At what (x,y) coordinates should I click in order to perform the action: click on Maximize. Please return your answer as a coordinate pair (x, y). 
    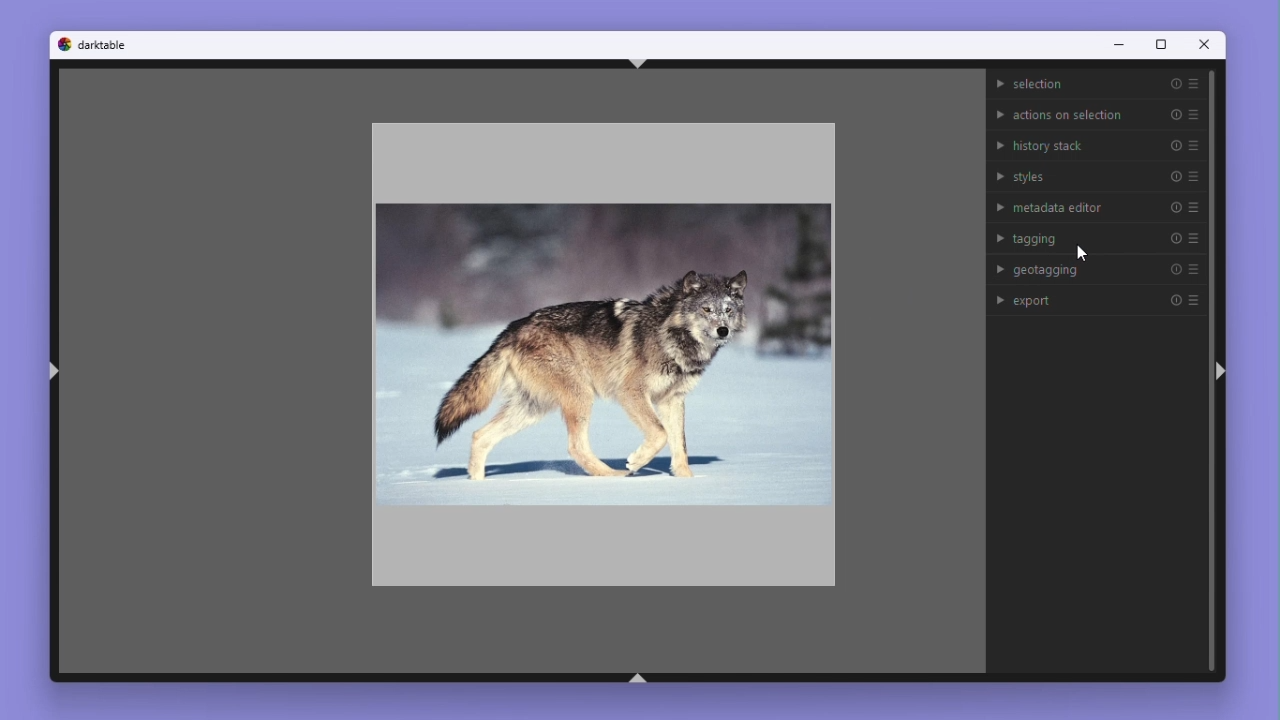
    Looking at the image, I should click on (1159, 46).